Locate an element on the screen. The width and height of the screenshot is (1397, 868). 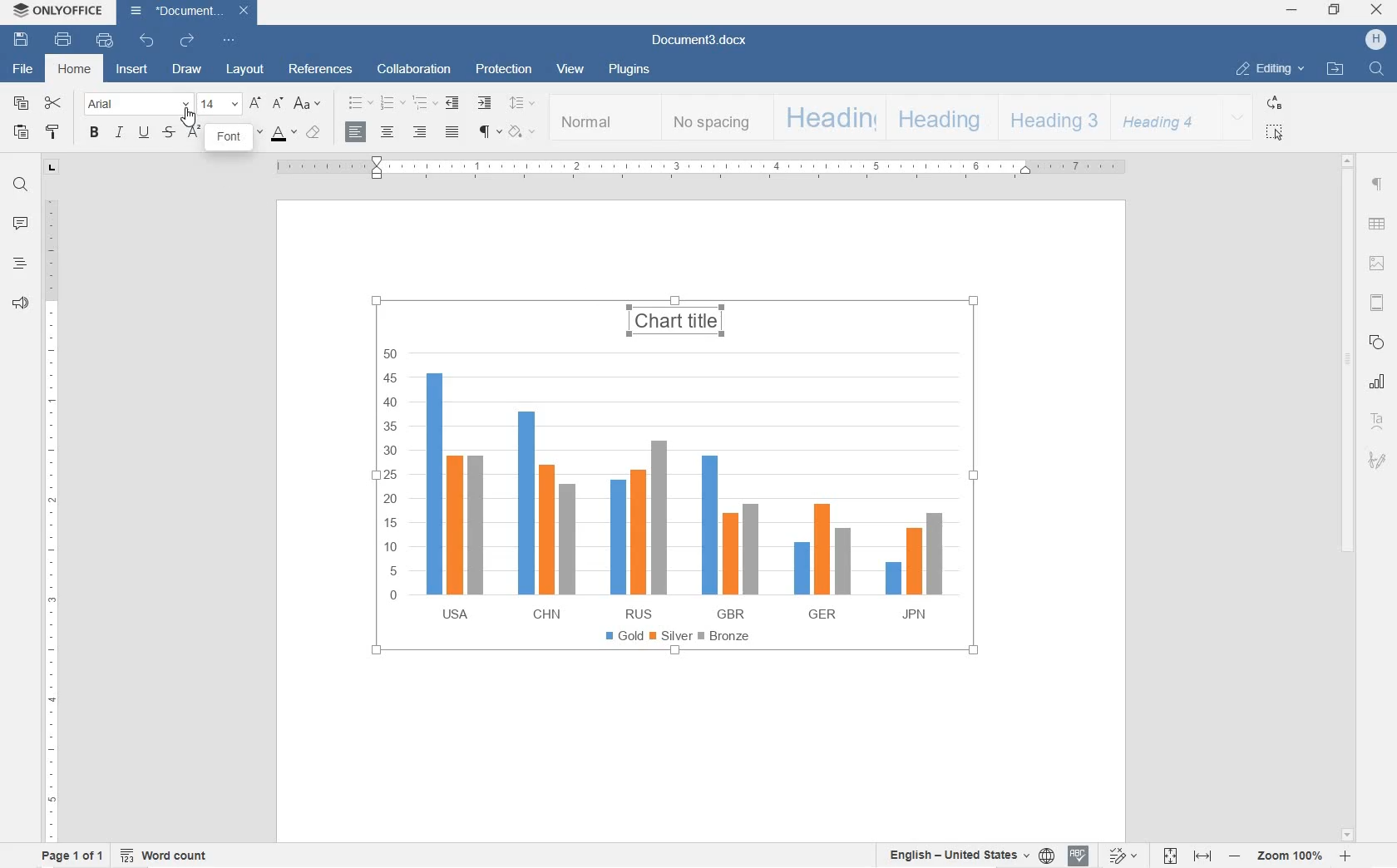
FONT SIZE is located at coordinates (220, 104).